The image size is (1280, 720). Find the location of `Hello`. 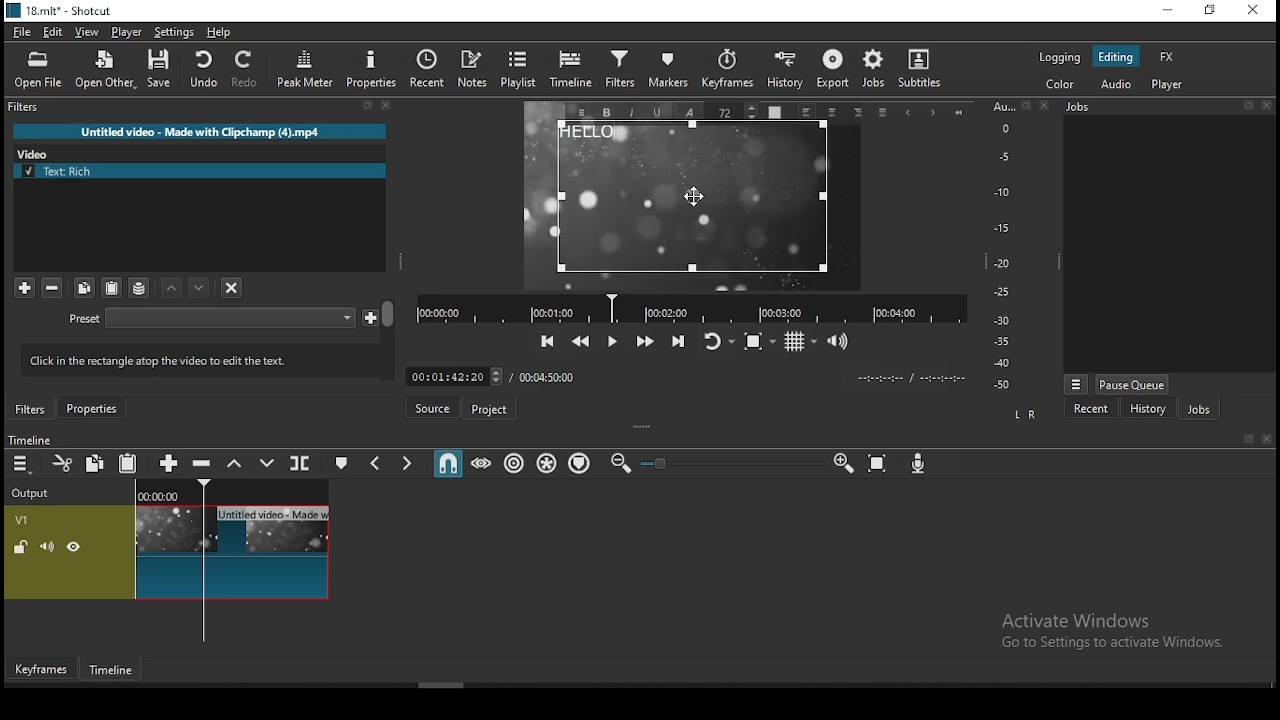

Hello is located at coordinates (693, 199).